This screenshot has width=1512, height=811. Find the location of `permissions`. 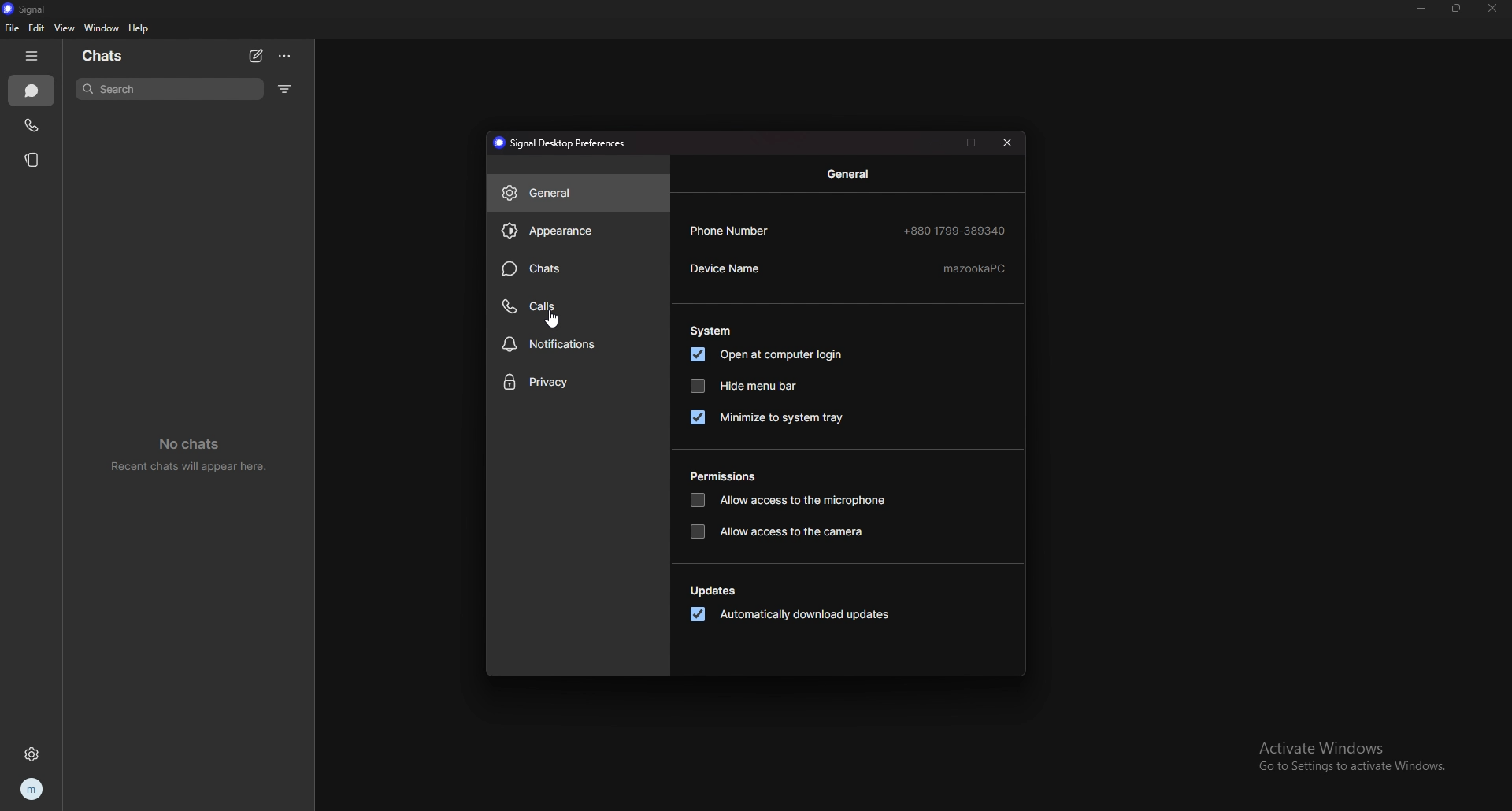

permissions is located at coordinates (722, 478).